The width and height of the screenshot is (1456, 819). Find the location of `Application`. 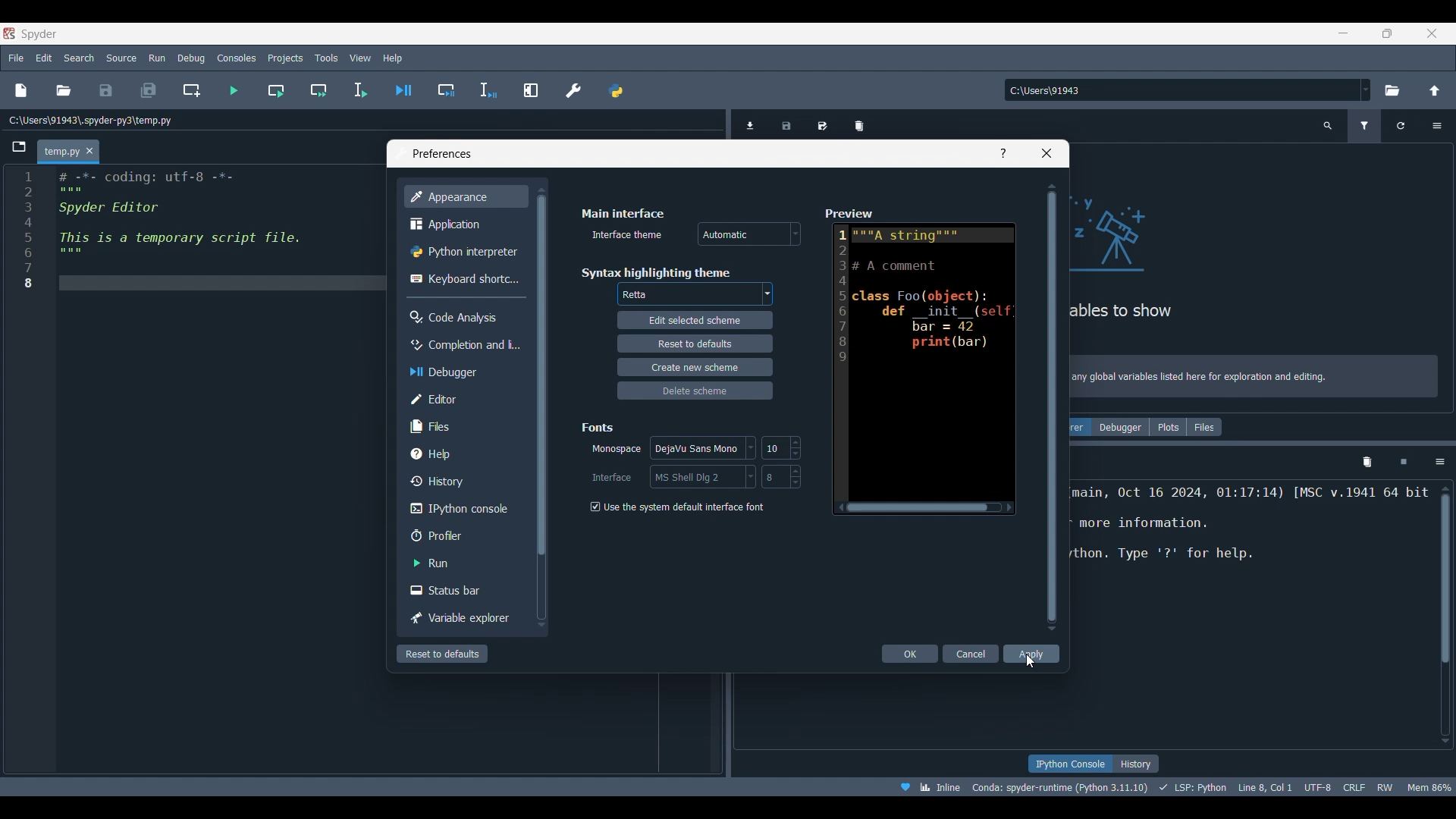

Application is located at coordinates (463, 224).